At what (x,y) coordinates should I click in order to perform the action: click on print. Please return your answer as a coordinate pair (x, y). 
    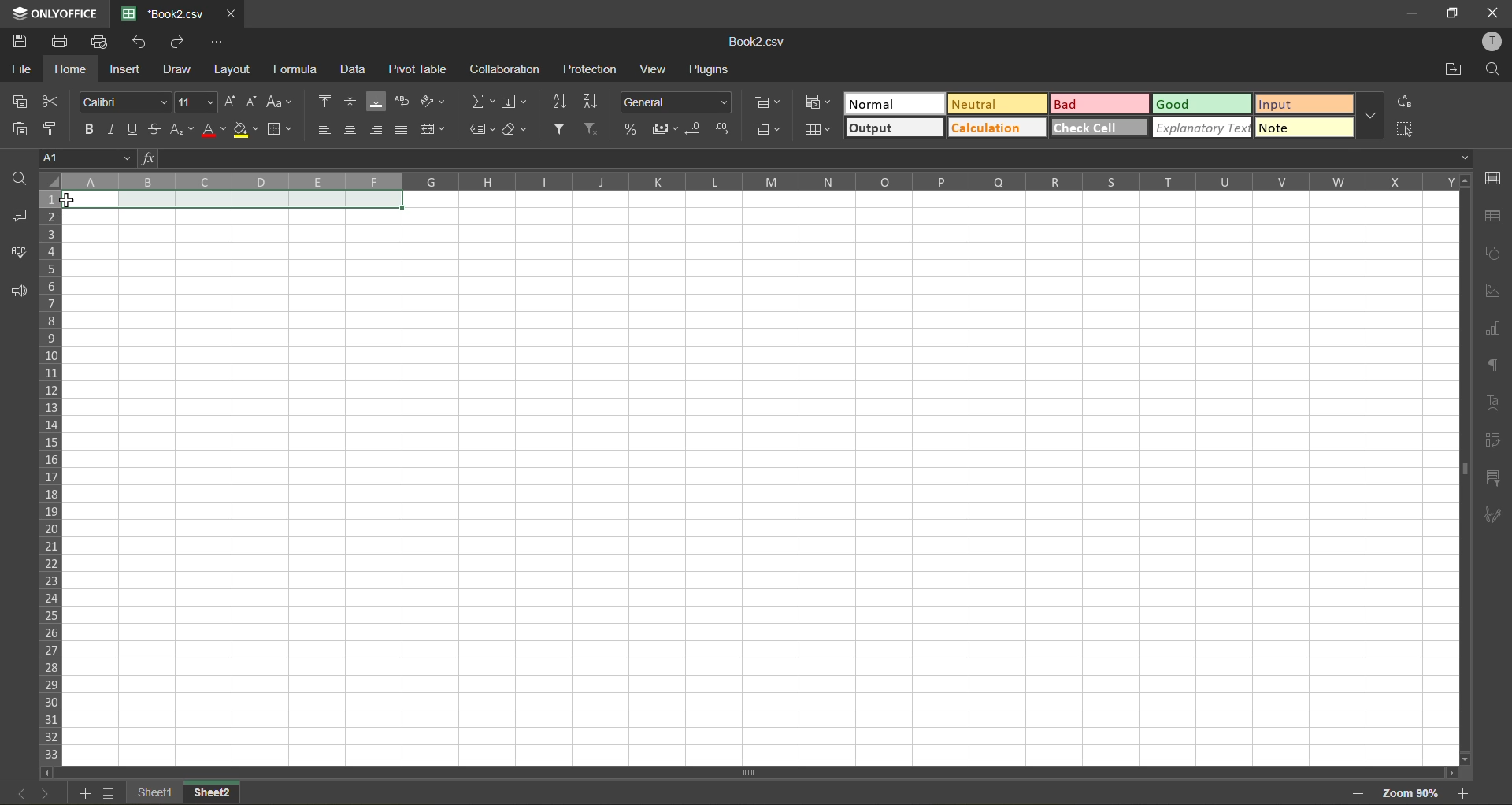
    Looking at the image, I should click on (59, 40).